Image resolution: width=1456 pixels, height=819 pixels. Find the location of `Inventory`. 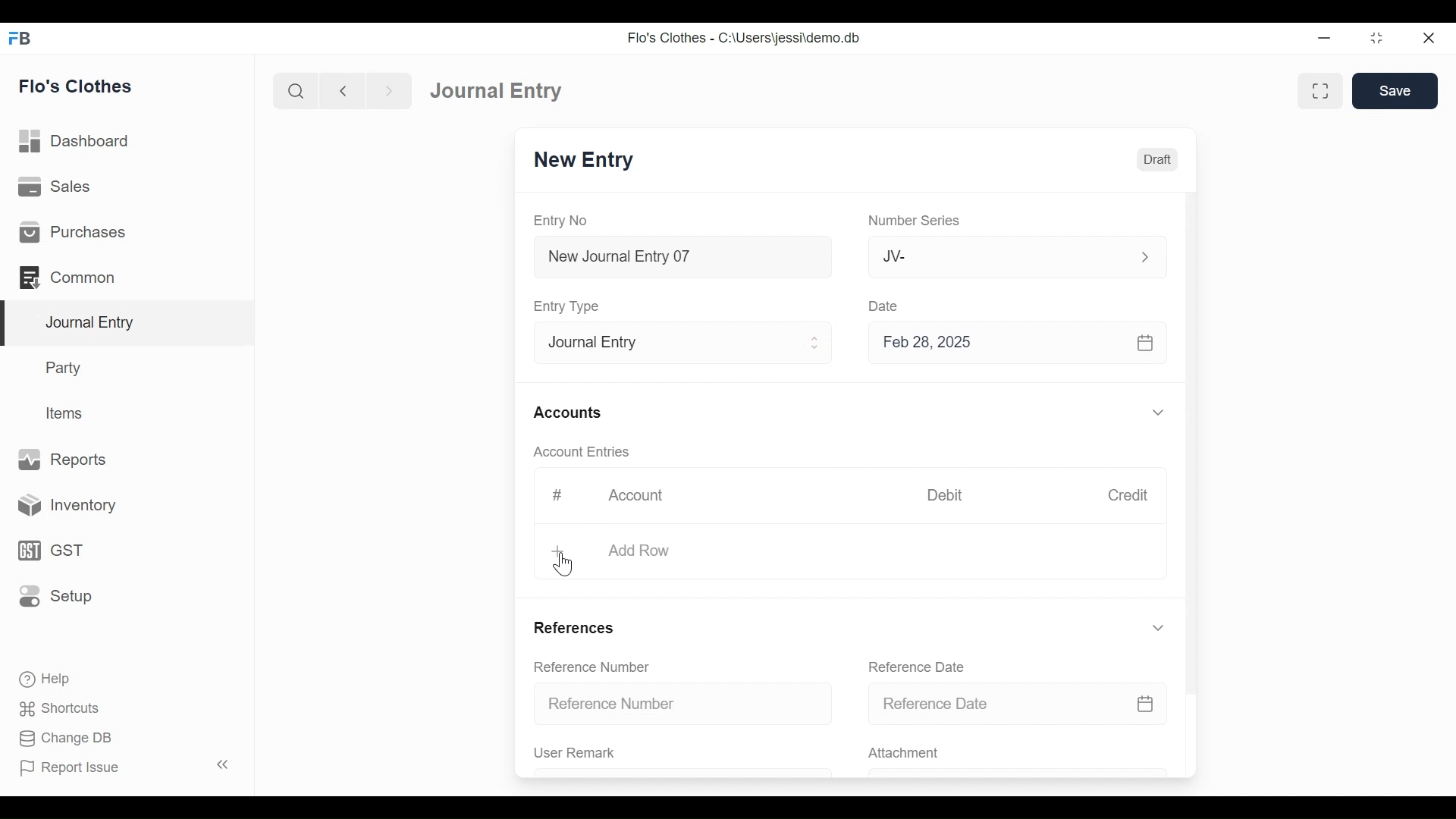

Inventory is located at coordinates (61, 507).